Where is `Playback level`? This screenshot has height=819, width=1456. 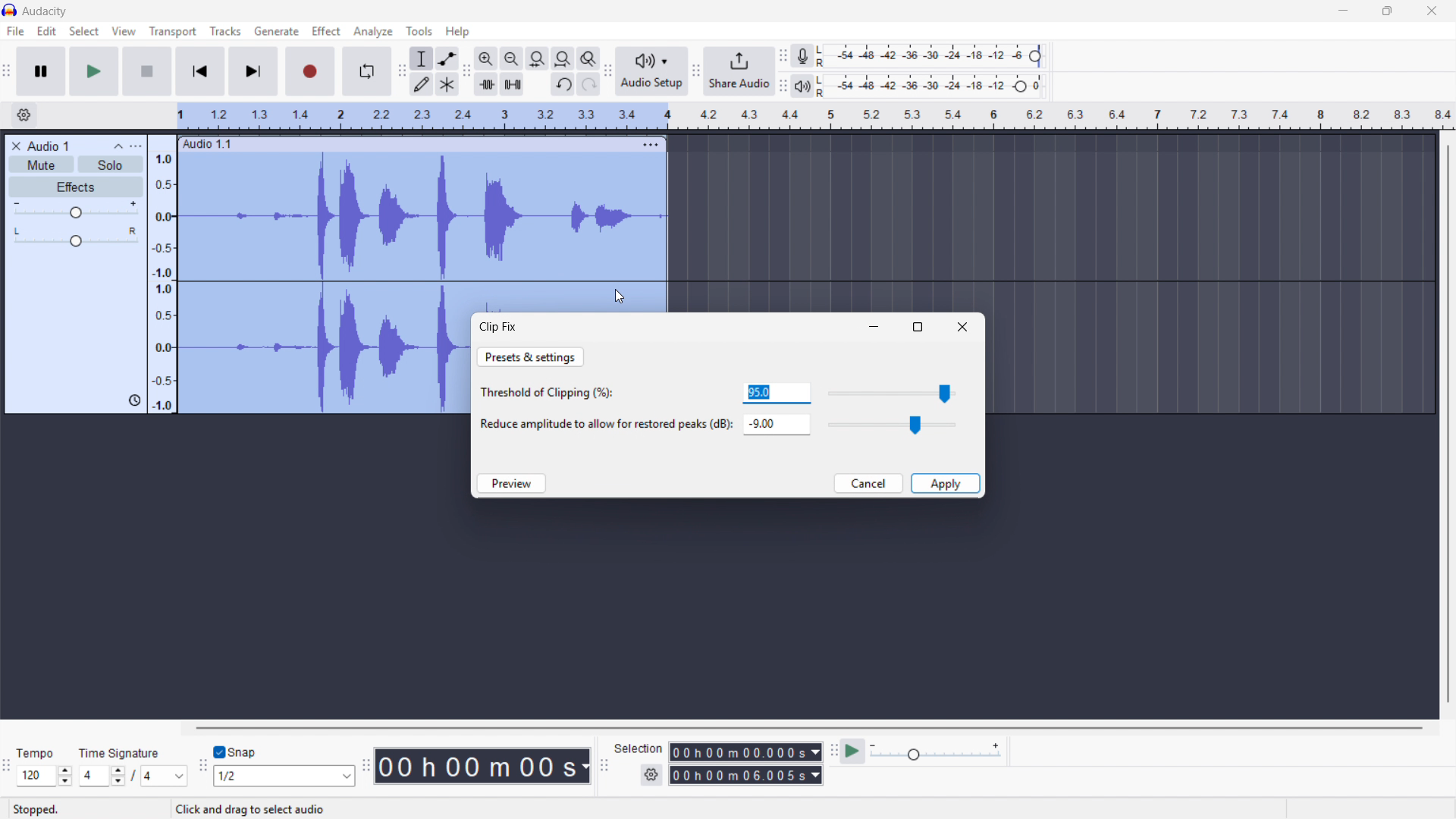 Playback level is located at coordinates (934, 86).